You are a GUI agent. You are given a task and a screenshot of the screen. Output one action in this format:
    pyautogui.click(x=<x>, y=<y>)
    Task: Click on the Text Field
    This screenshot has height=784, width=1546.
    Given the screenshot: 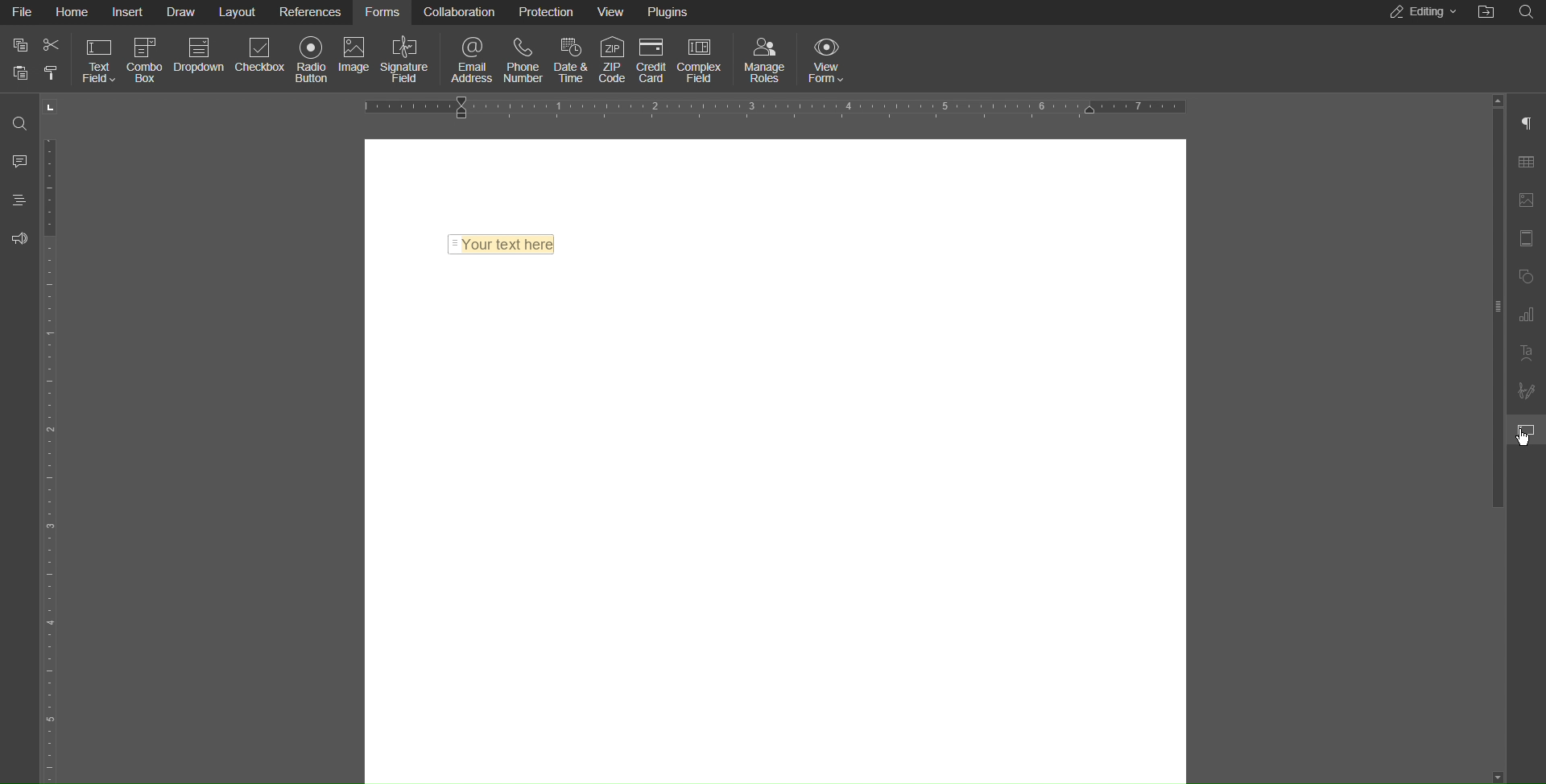 What is the action you would take?
    pyautogui.click(x=506, y=248)
    